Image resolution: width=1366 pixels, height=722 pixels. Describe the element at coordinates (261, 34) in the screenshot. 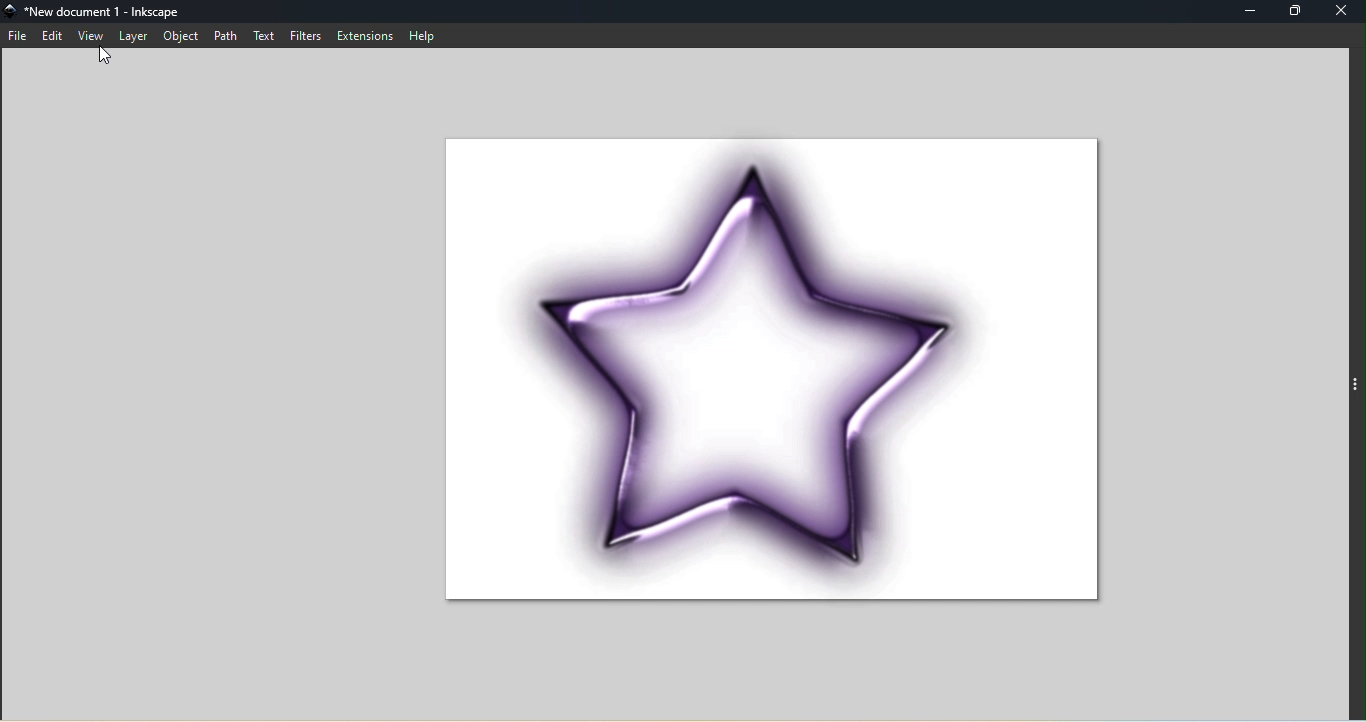

I see `Text` at that location.